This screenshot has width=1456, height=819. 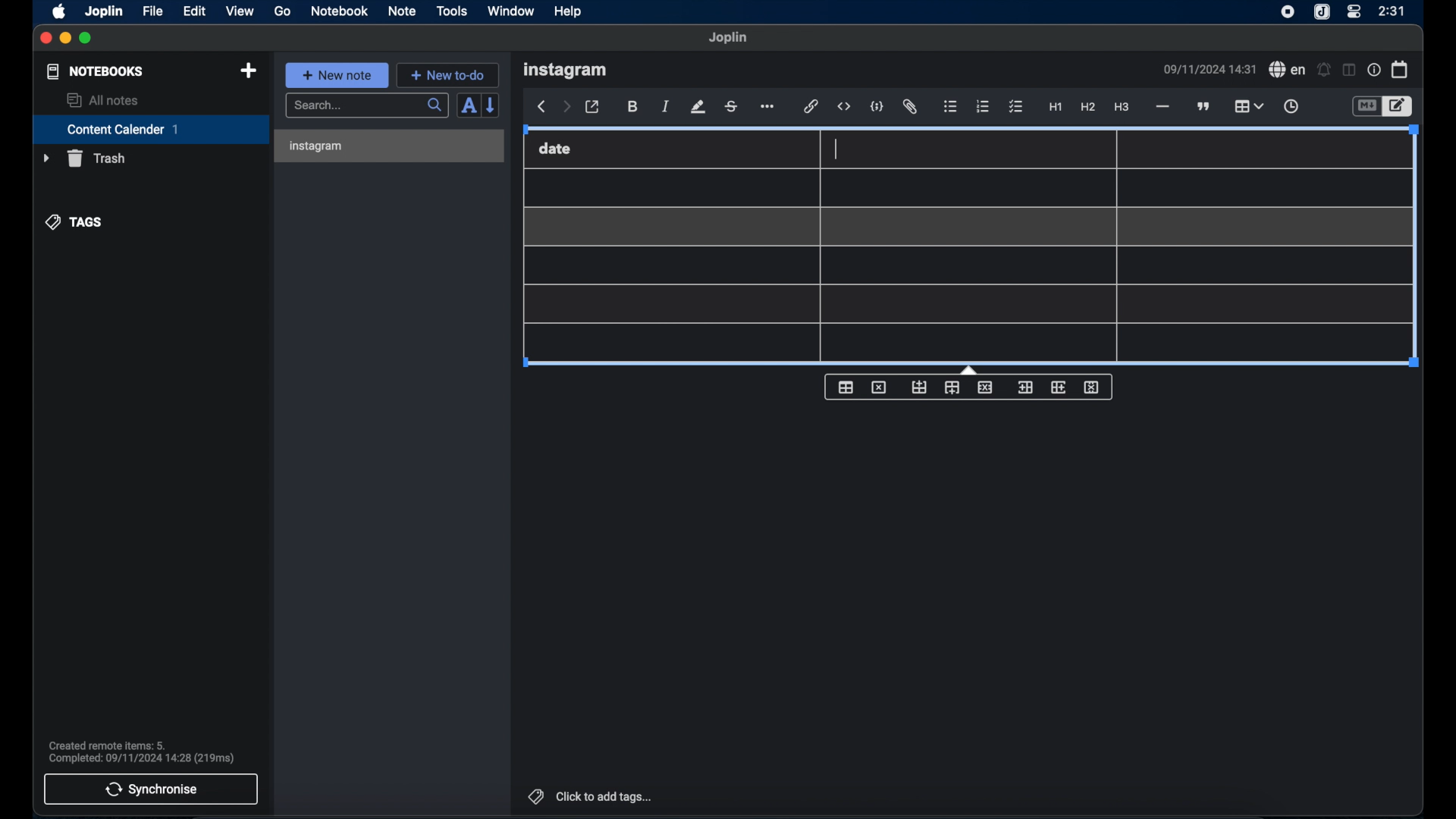 What do you see at coordinates (284, 11) in the screenshot?
I see `go` at bounding box center [284, 11].